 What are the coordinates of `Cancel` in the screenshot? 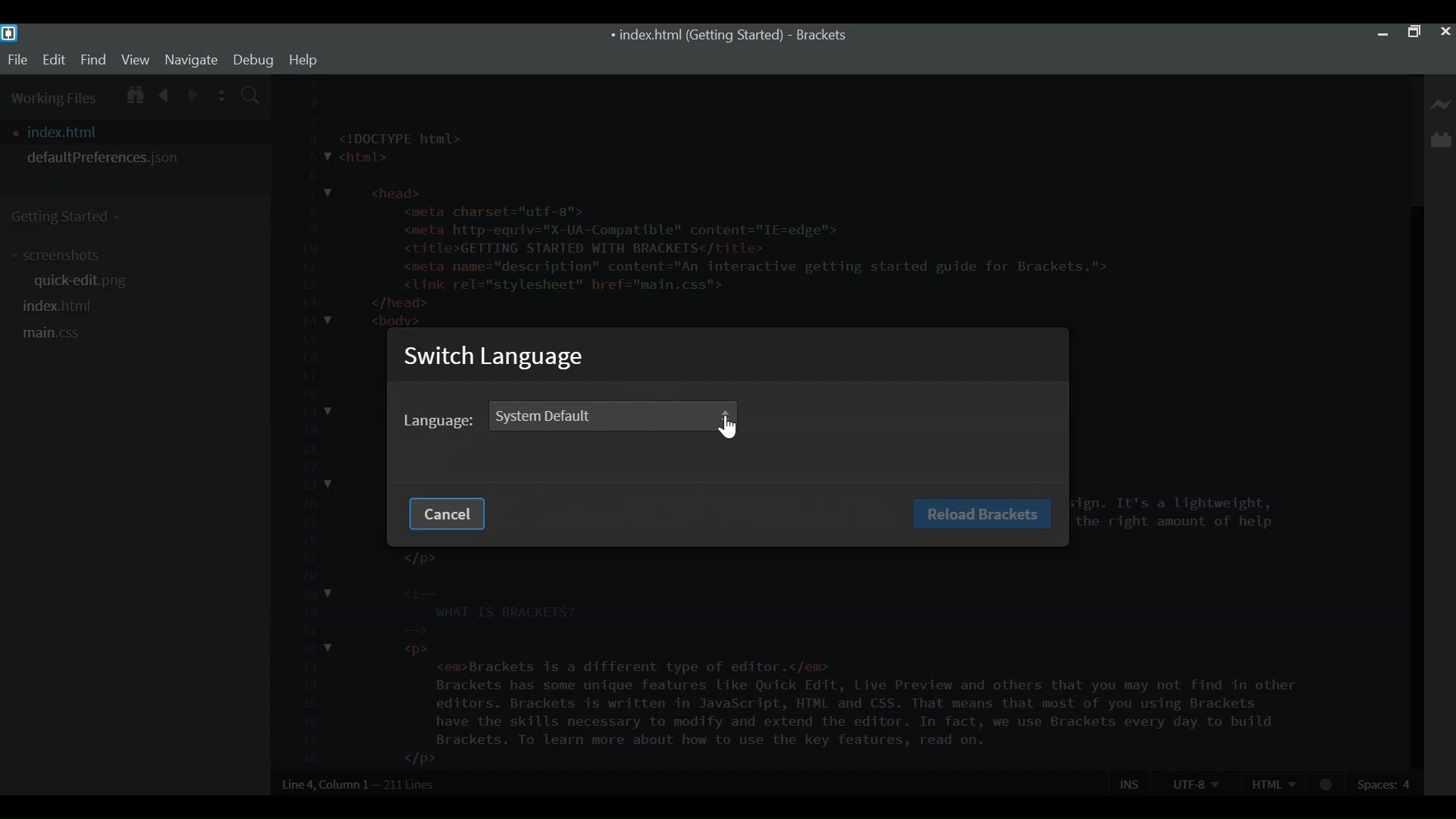 It's located at (444, 514).